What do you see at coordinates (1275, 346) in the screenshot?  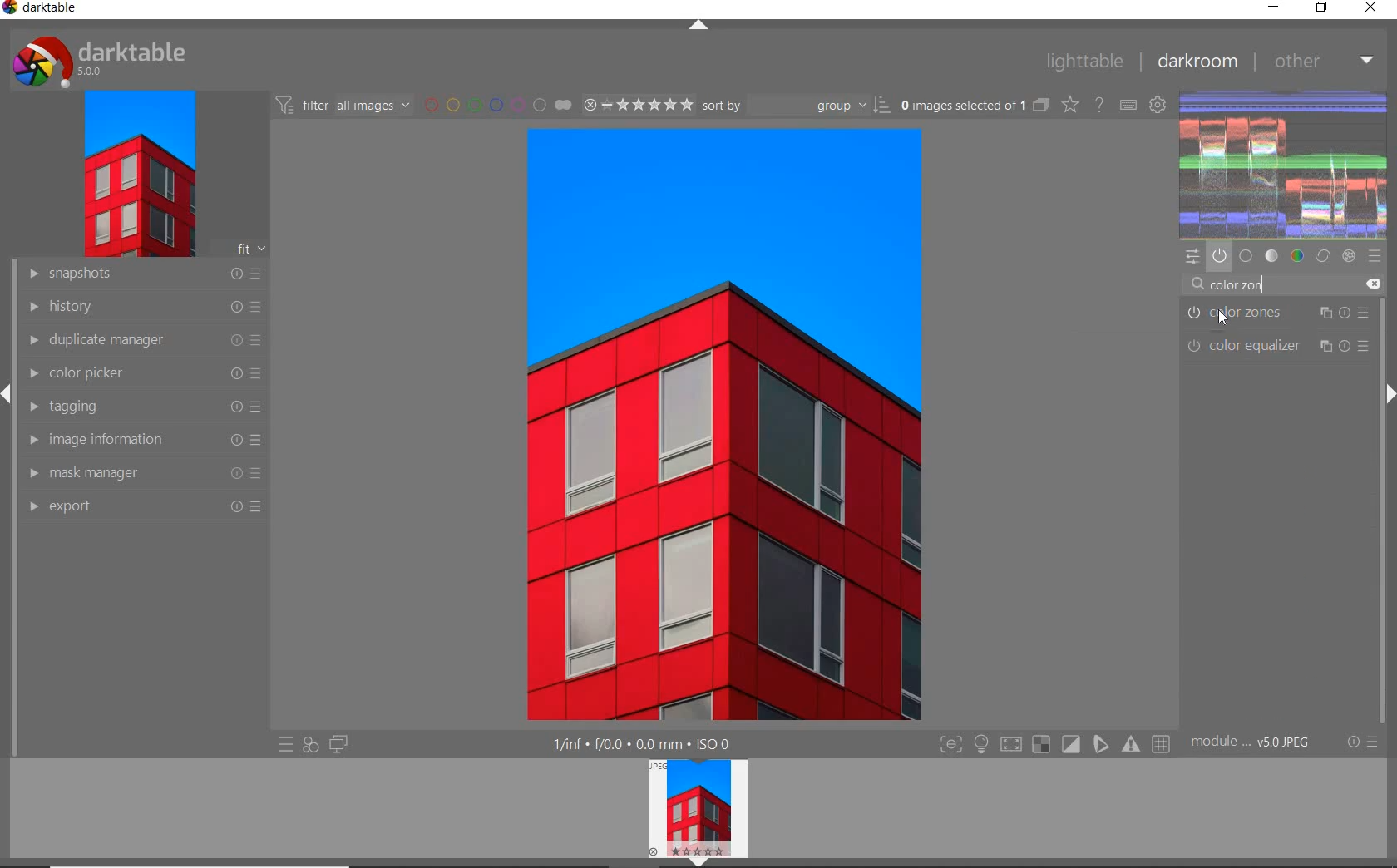 I see `COLOR EQUALIZER` at bounding box center [1275, 346].